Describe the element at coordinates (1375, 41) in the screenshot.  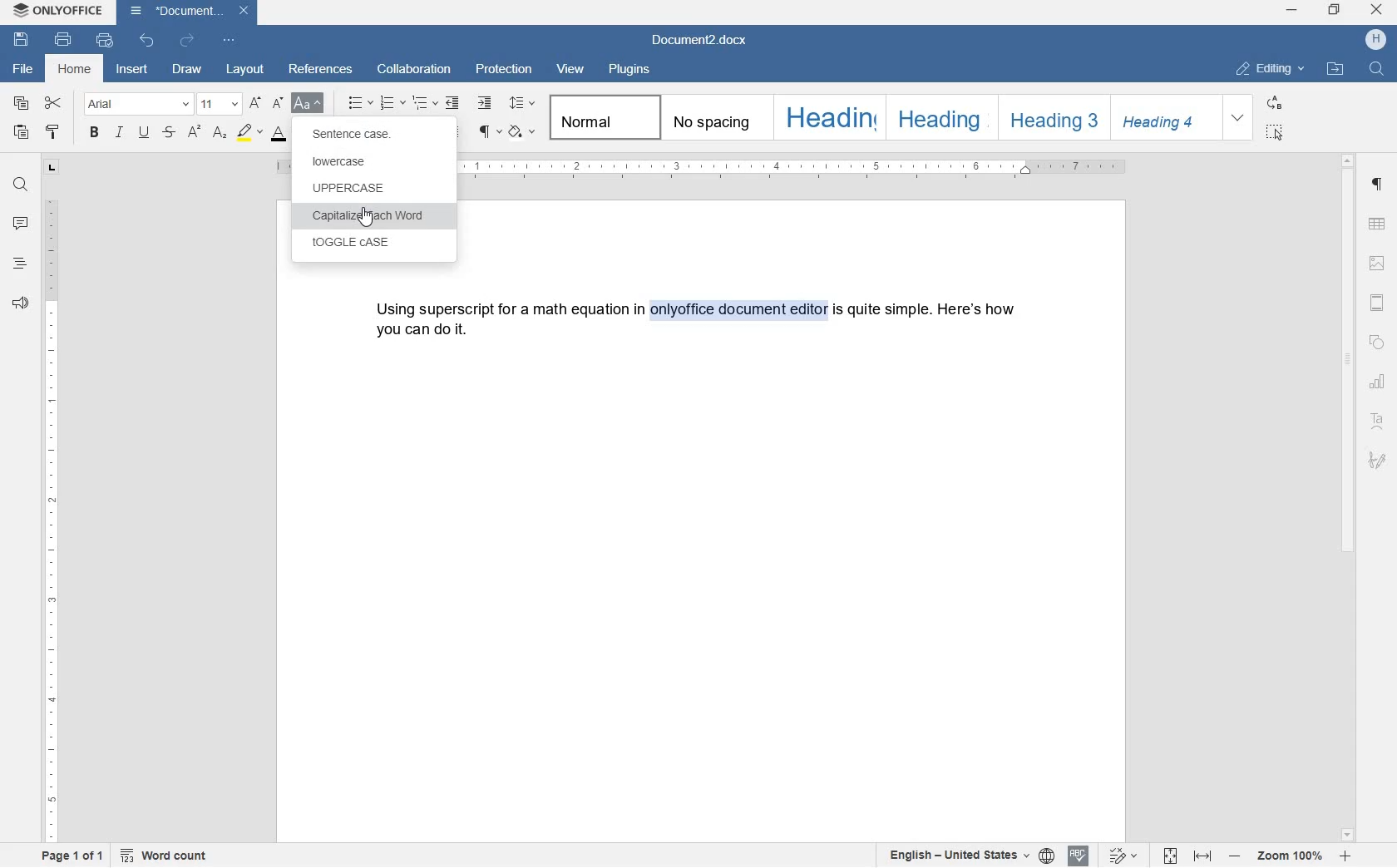
I see `HP` at that location.